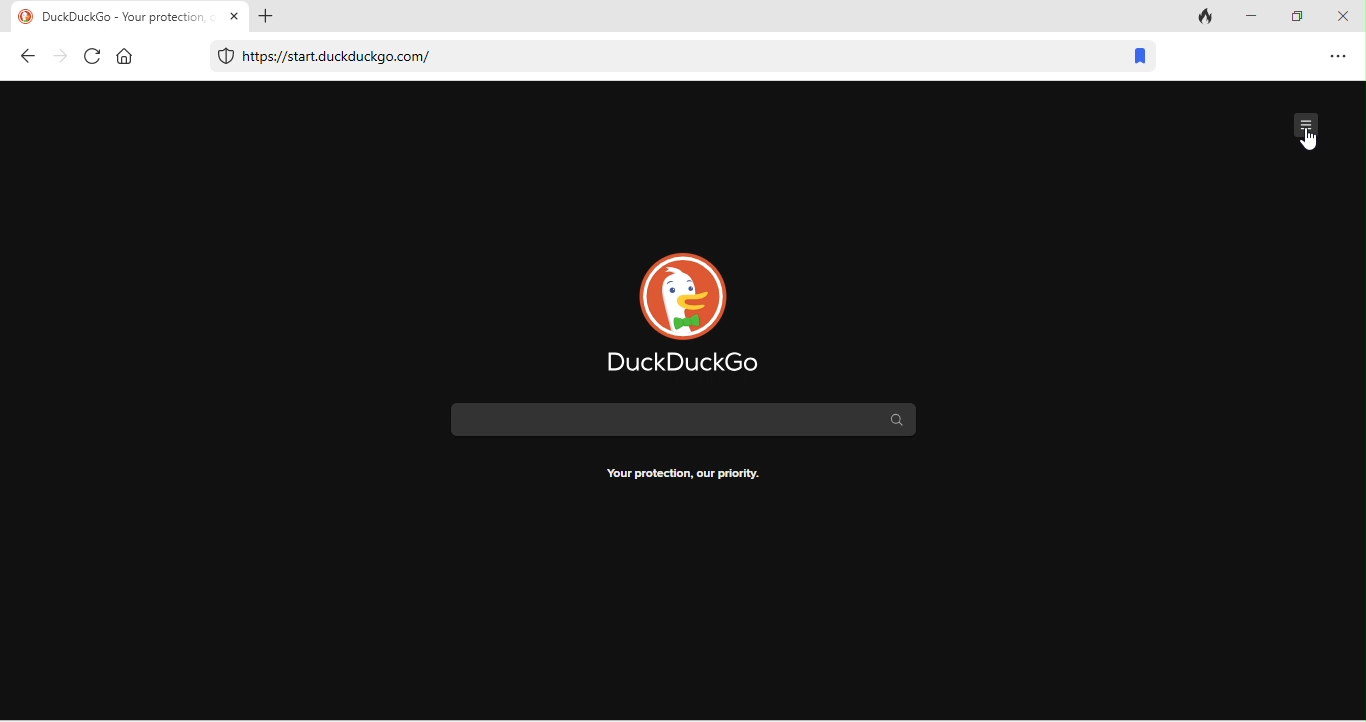  Describe the element at coordinates (684, 475) in the screenshot. I see `text` at that location.